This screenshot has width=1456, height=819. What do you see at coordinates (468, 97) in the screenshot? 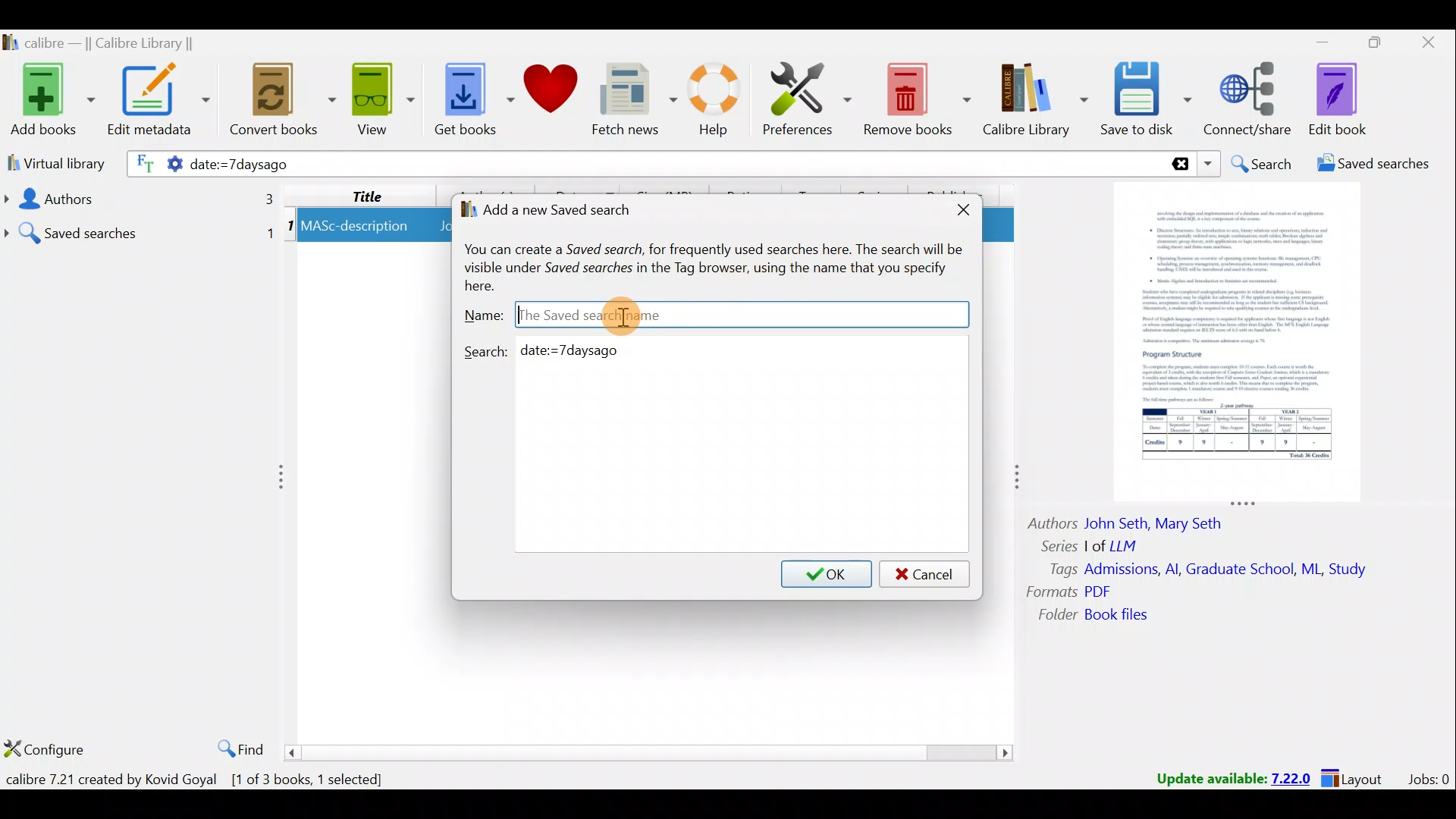
I see `Get books` at bounding box center [468, 97].